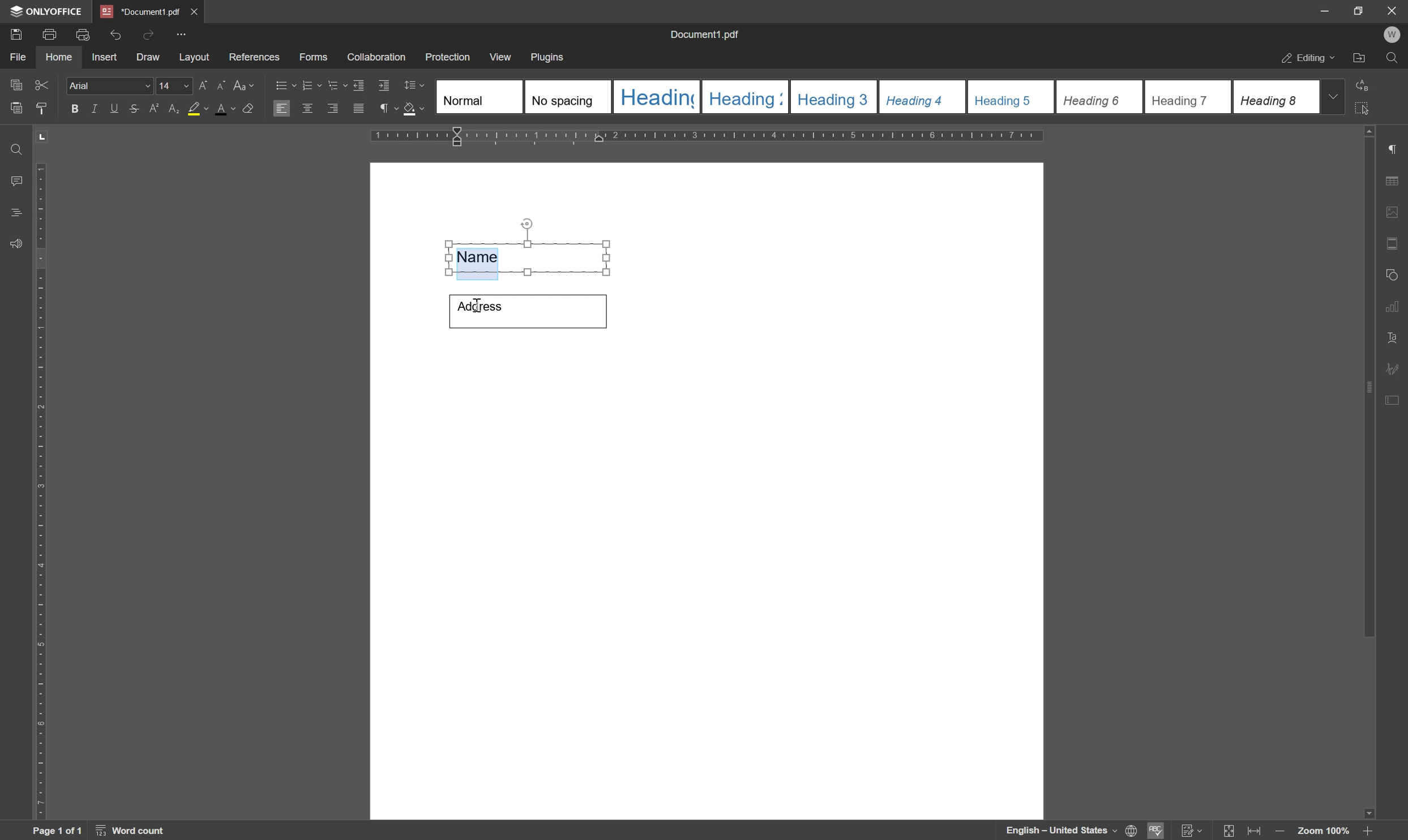 The image size is (1408, 840). What do you see at coordinates (198, 87) in the screenshot?
I see `increment font size` at bounding box center [198, 87].